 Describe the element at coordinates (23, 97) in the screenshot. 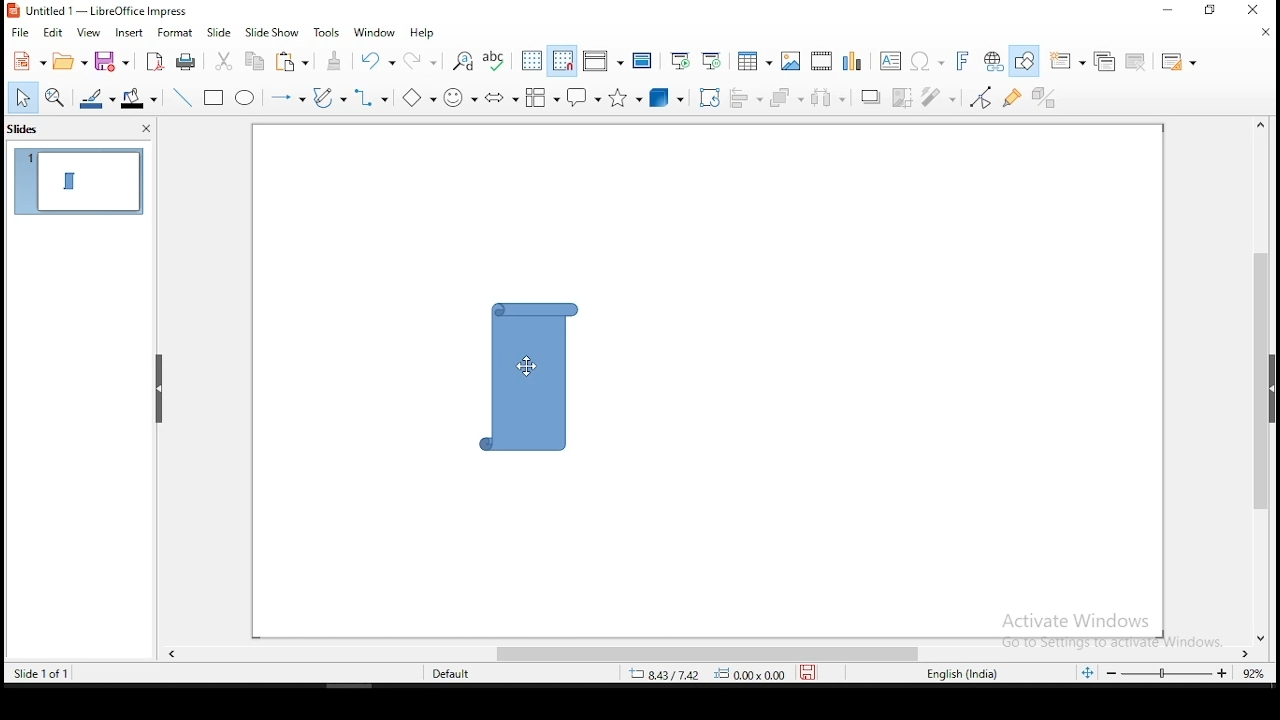

I see `select tool` at that location.